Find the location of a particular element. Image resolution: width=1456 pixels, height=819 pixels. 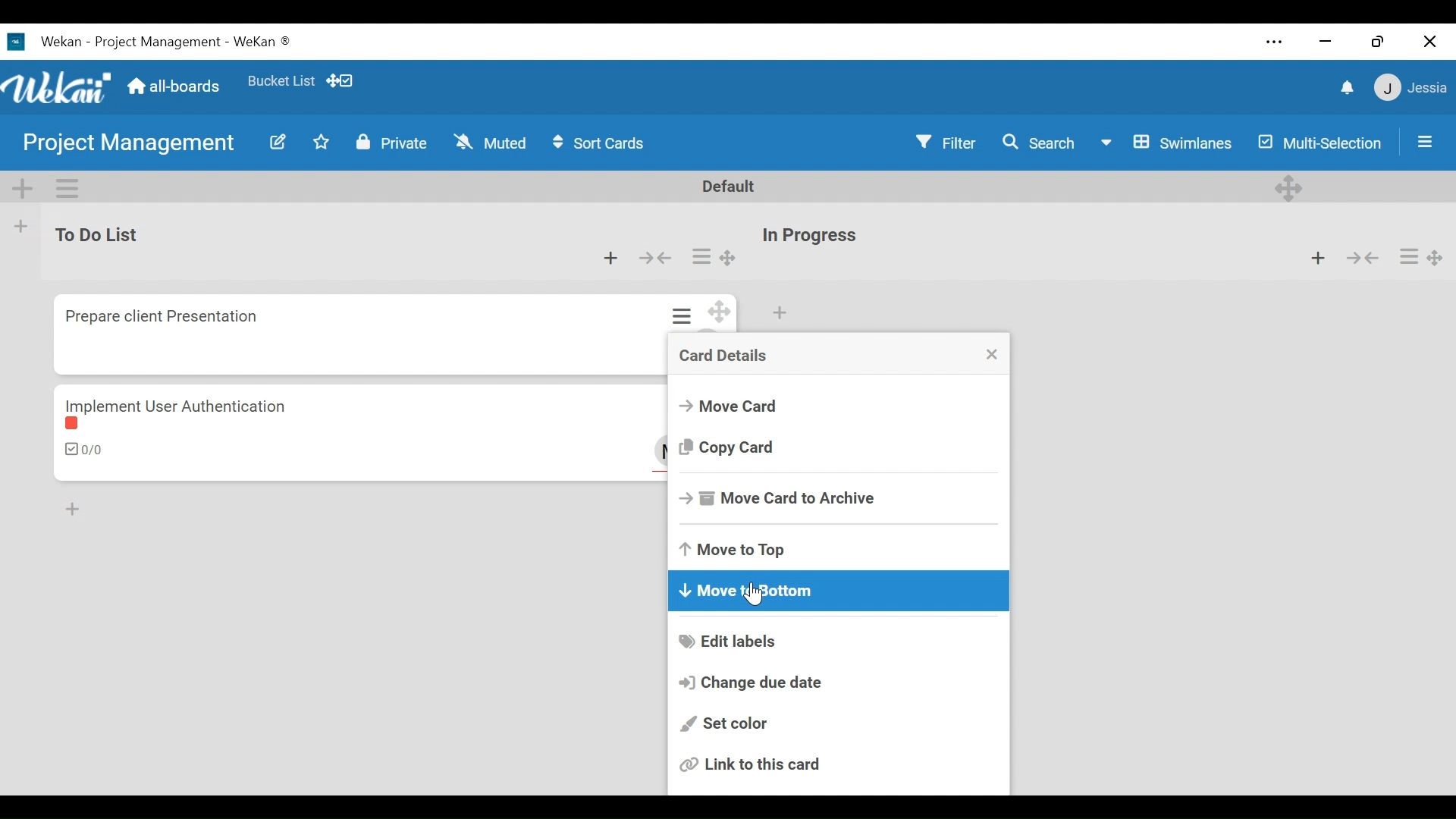

Multi-Selection is located at coordinates (1316, 143).